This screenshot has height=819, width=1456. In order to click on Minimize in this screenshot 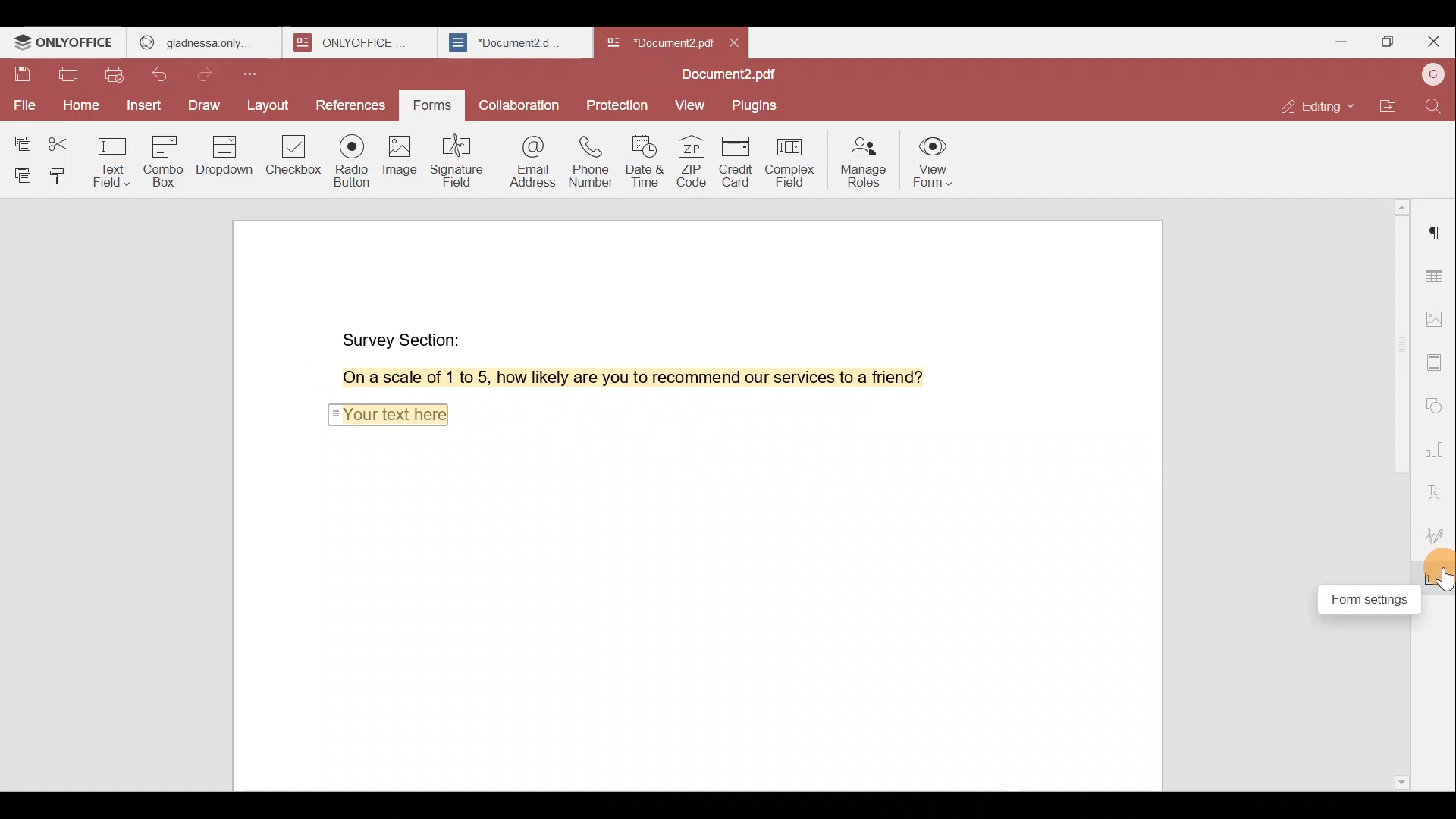, I will do `click(1337, 40)`.